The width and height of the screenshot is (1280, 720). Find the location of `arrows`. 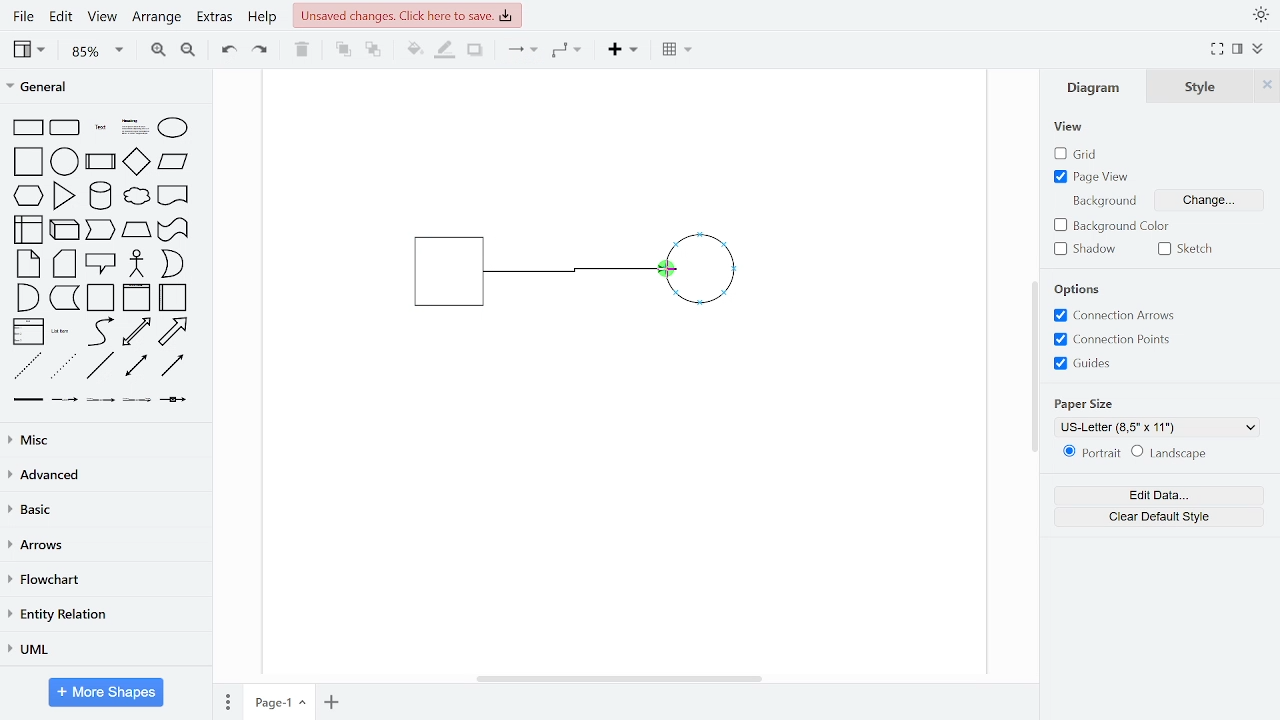

arrows is located at coordinates (103, 546).